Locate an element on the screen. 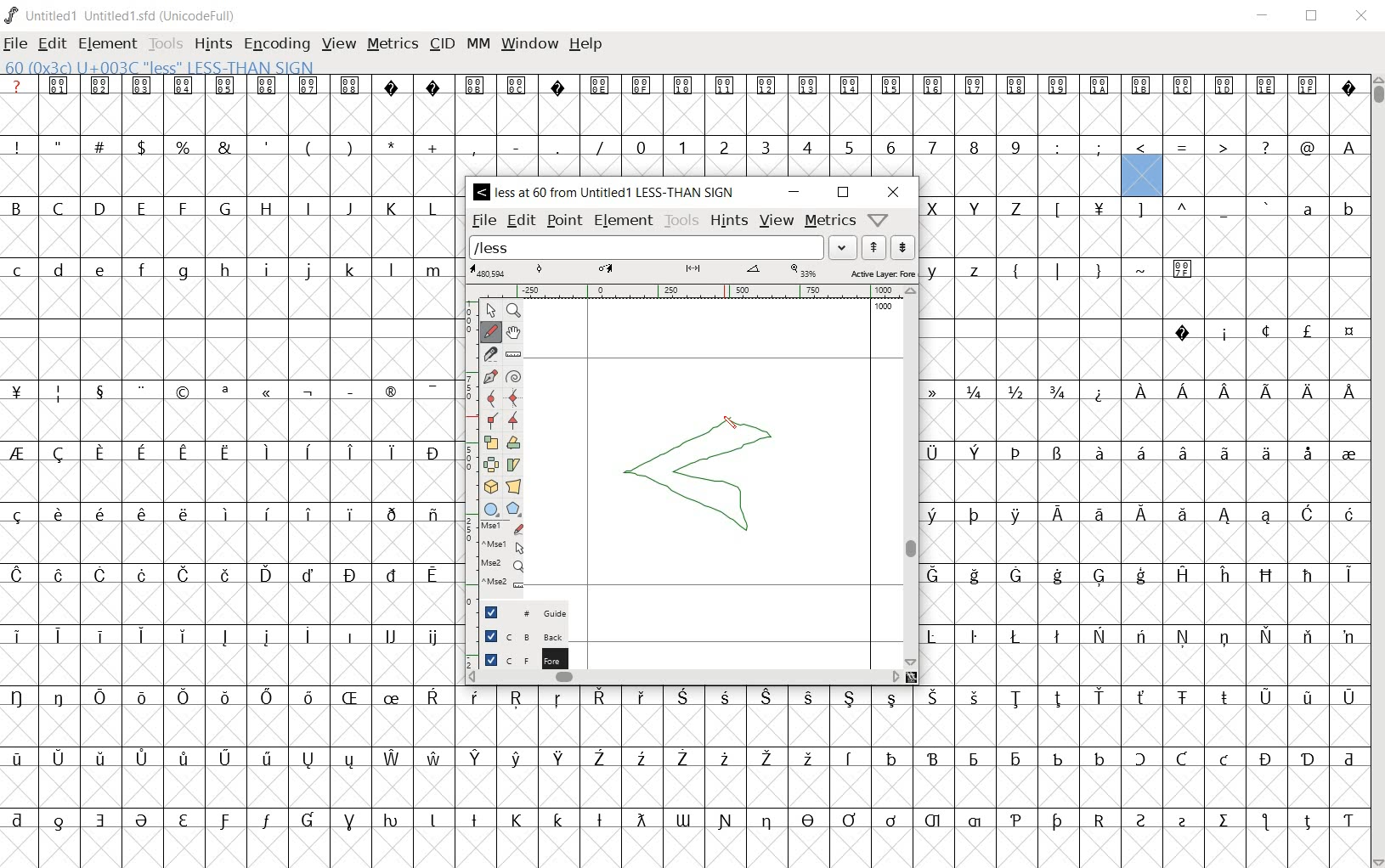  empty cells is located at coordinates (235, 482).